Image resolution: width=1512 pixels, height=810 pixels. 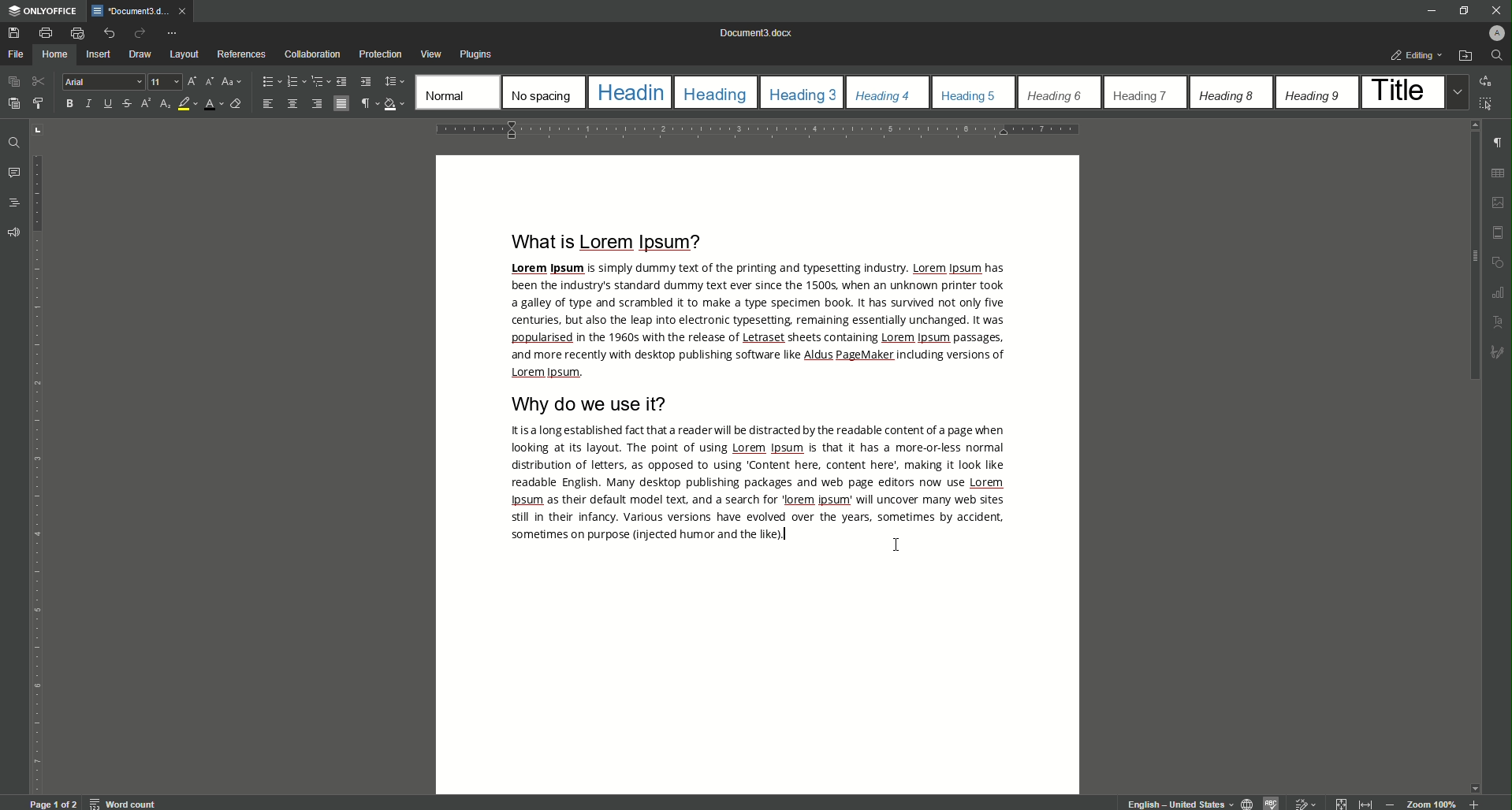 What do you see at coordinates (757, 33) in the screenshot?
I see `Document 0` at bounding box center [757, 33].